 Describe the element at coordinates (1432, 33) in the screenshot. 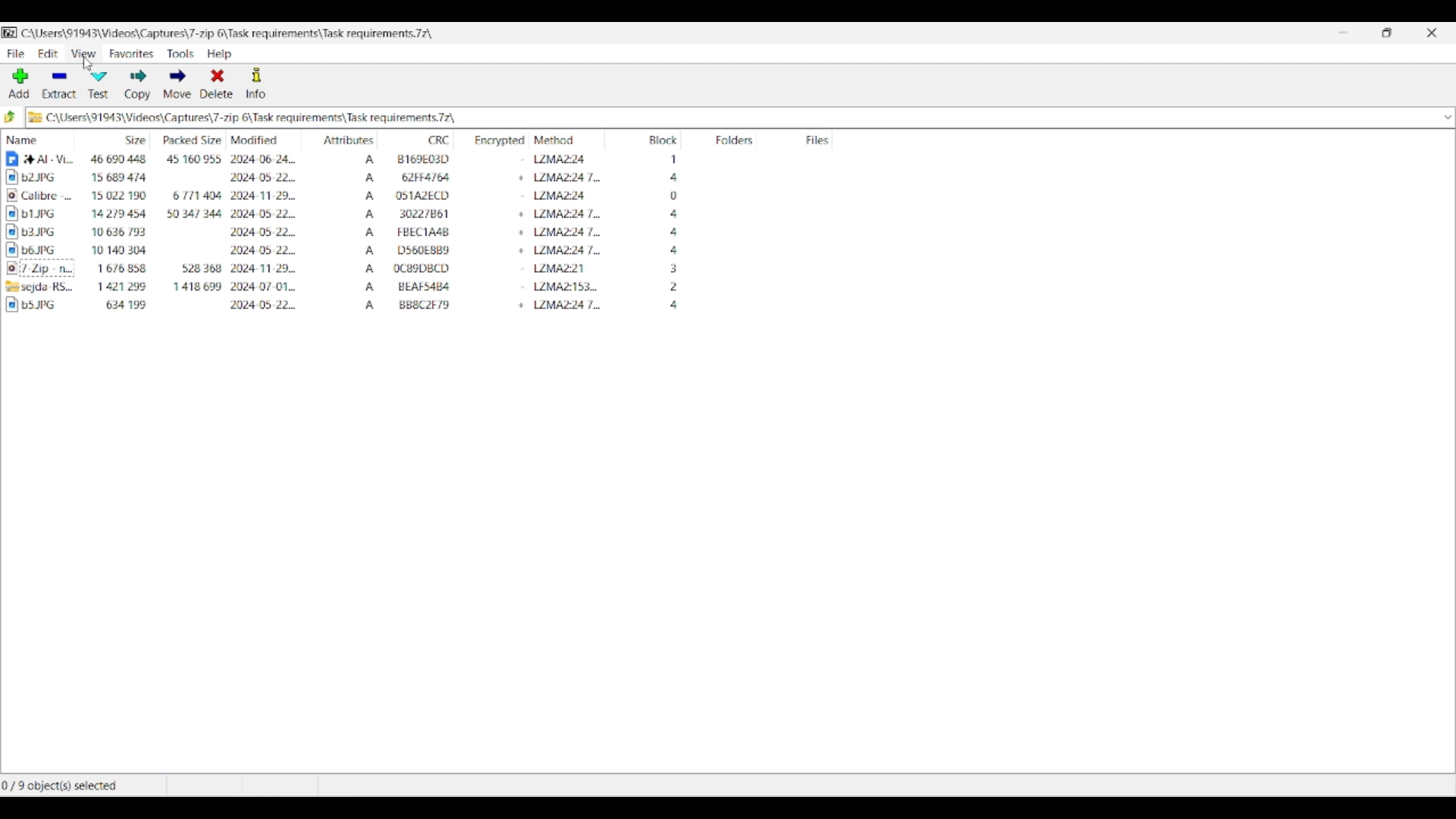

I see `Close interface` at that location.